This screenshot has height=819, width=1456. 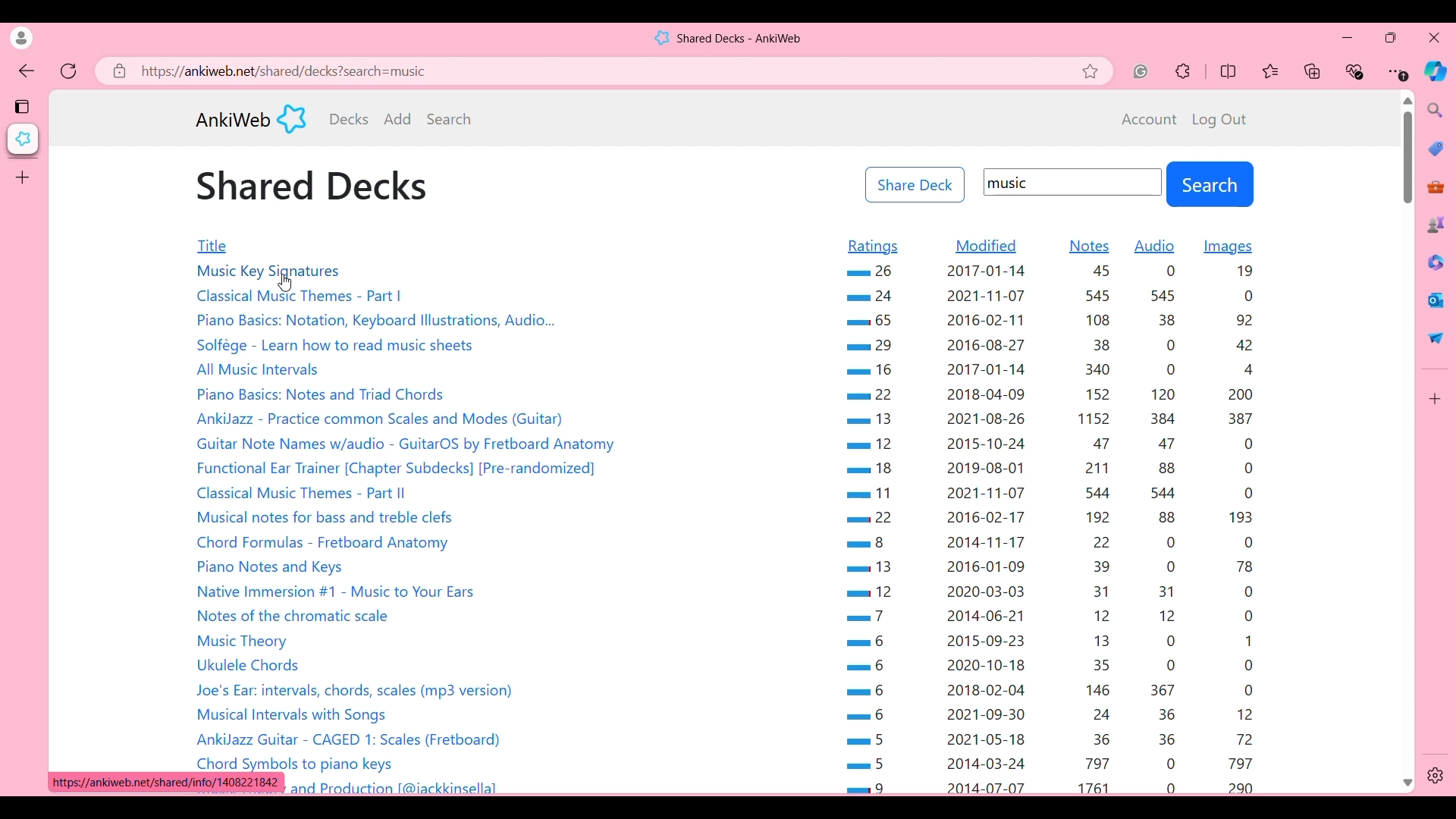 What do you see at coordinates (1090, 246) in the screenshot?
I see `Notes` at bounding box center [1090, 246].